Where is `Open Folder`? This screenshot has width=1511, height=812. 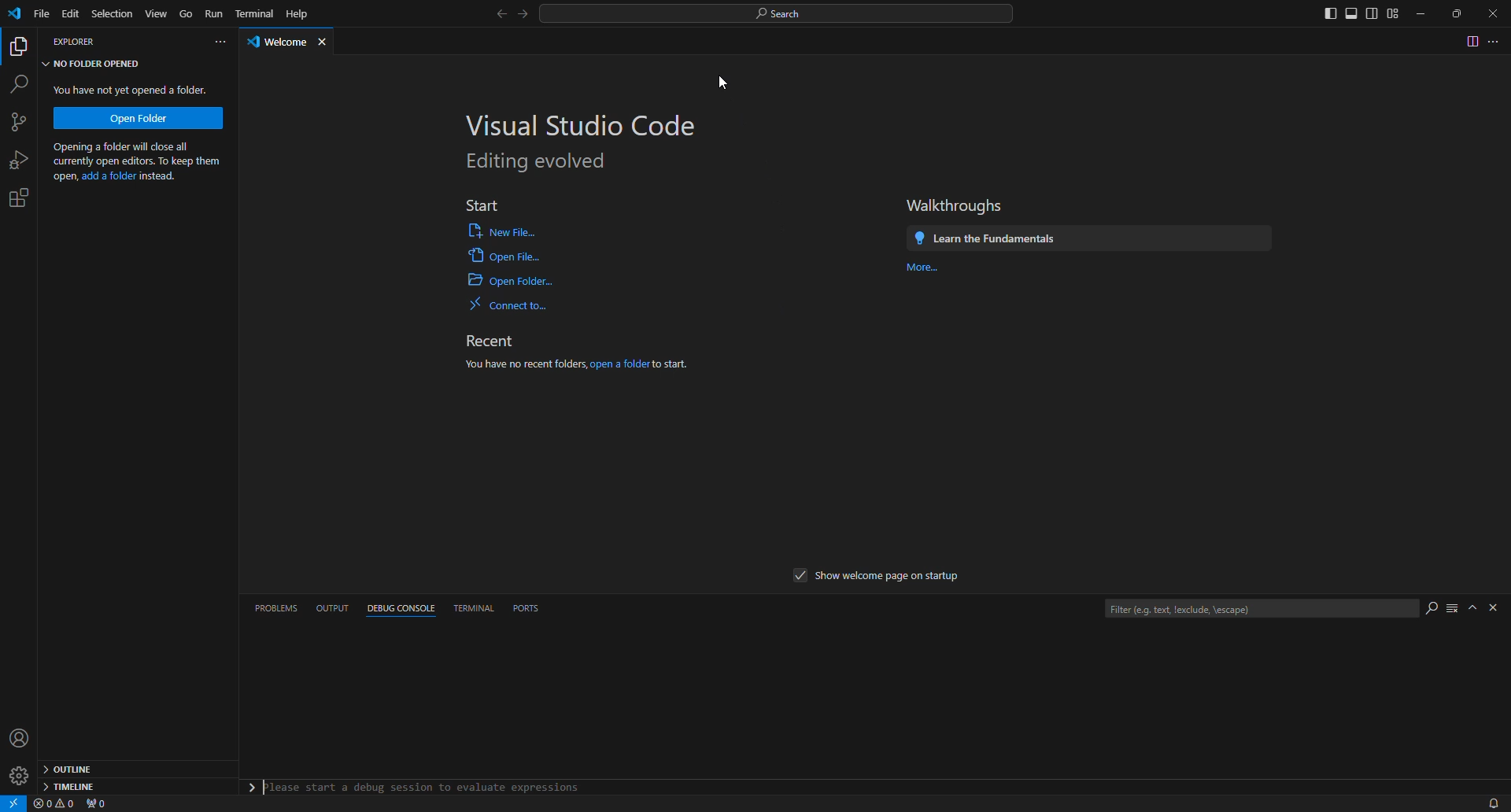
Open Folder is located at coordinates (514, 283).